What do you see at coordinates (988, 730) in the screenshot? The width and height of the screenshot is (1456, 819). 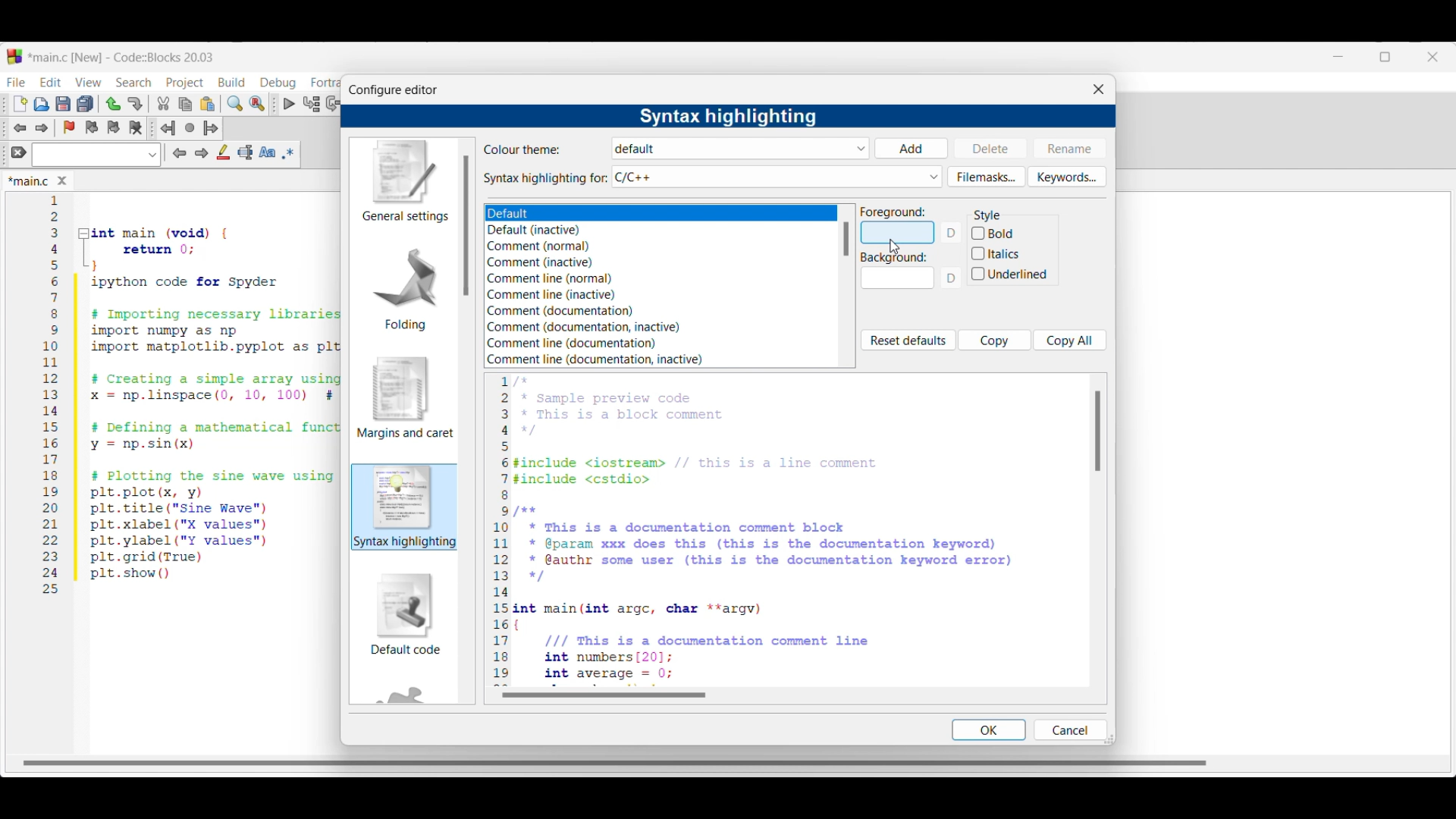 I see `OK` at bounding box center [988, 730].